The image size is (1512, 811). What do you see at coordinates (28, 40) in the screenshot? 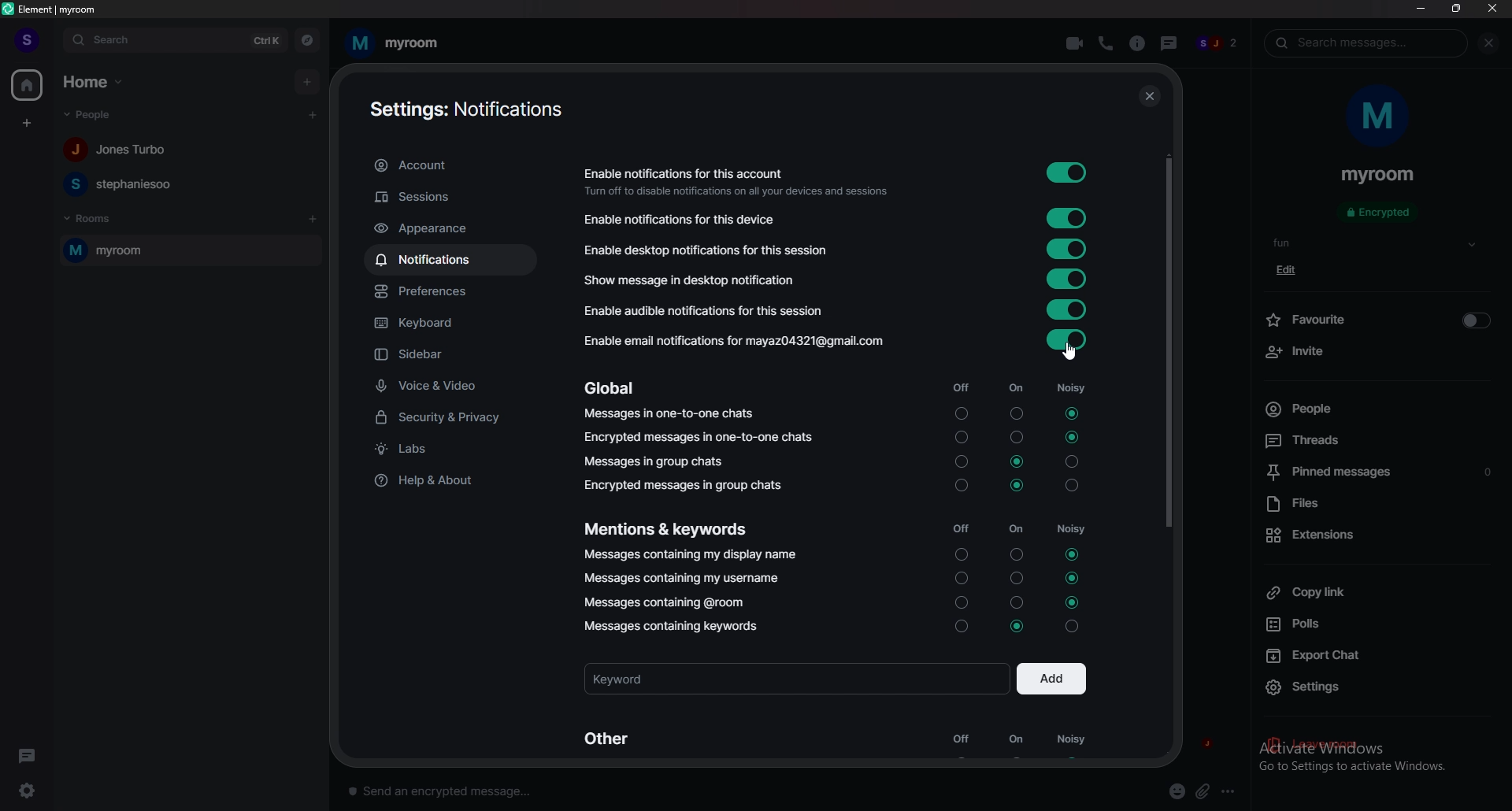
I see `profile` at bounding box center [28, 40].